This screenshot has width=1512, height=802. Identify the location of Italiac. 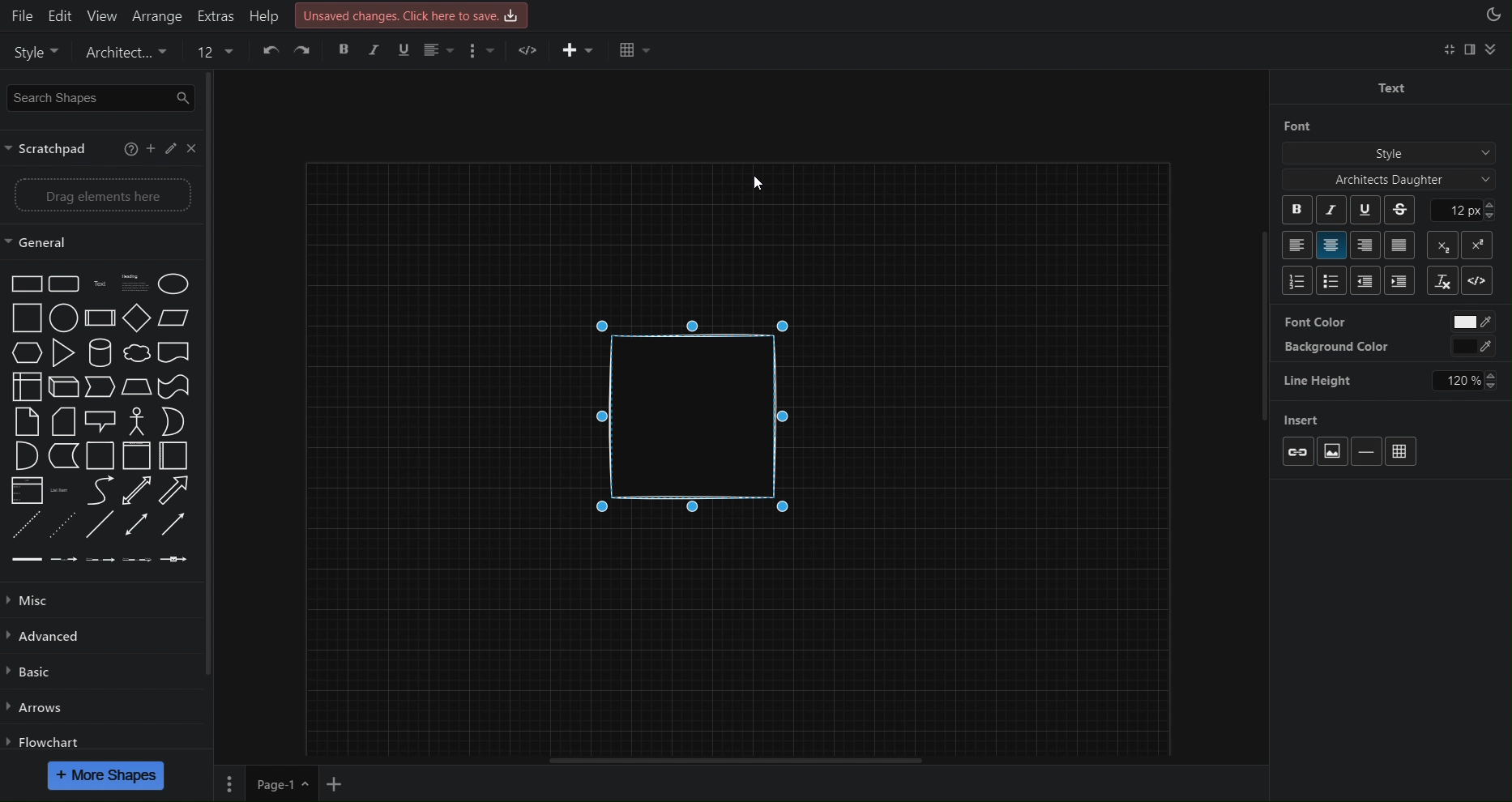
(1331, 210).